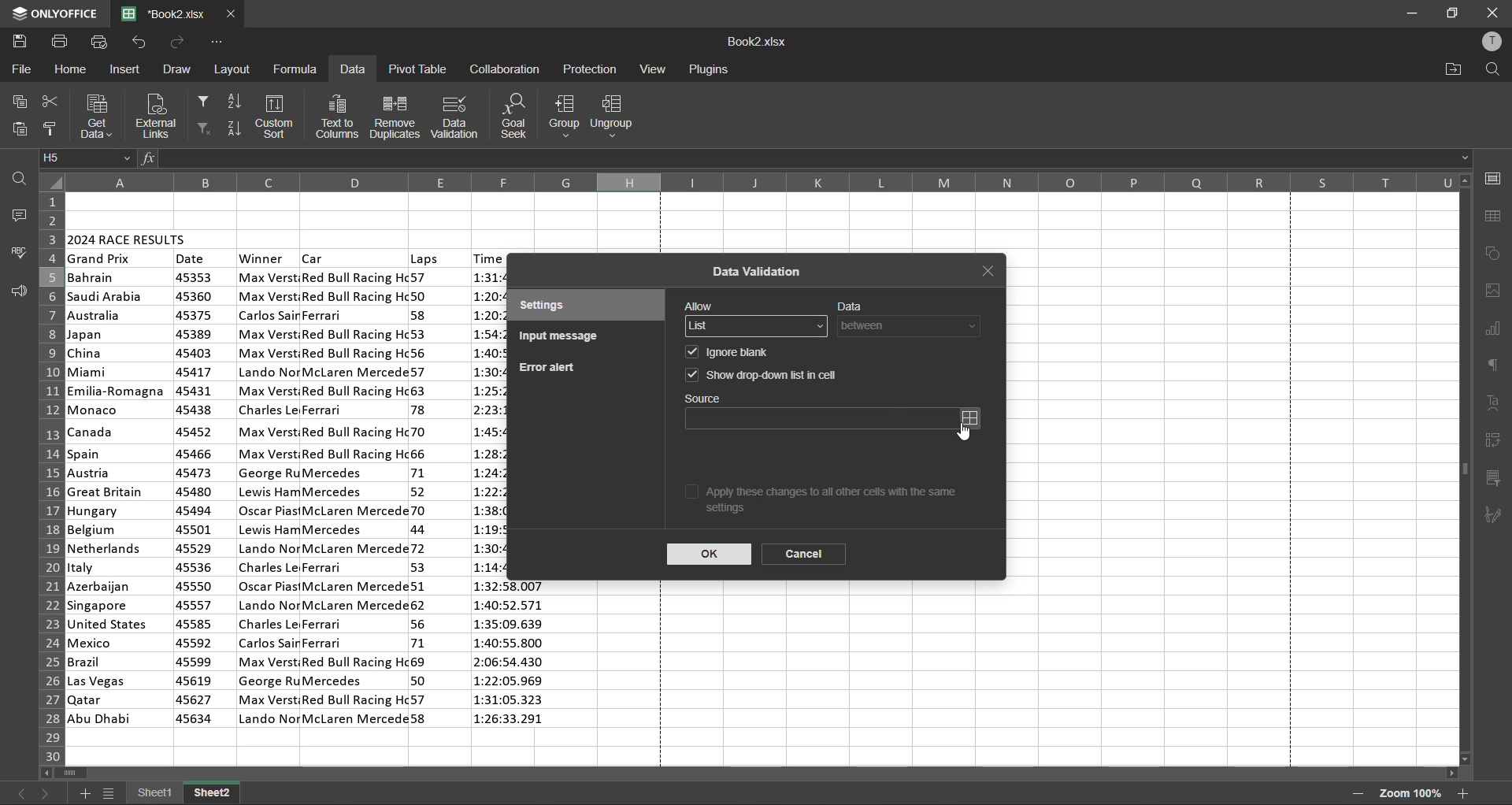 Image resolution: width=1512 pixels, height=805 pixels. What do you see at coordinates (692, 491) in the screenshot?
I see `checkbox` at bounding box center [692, 491].